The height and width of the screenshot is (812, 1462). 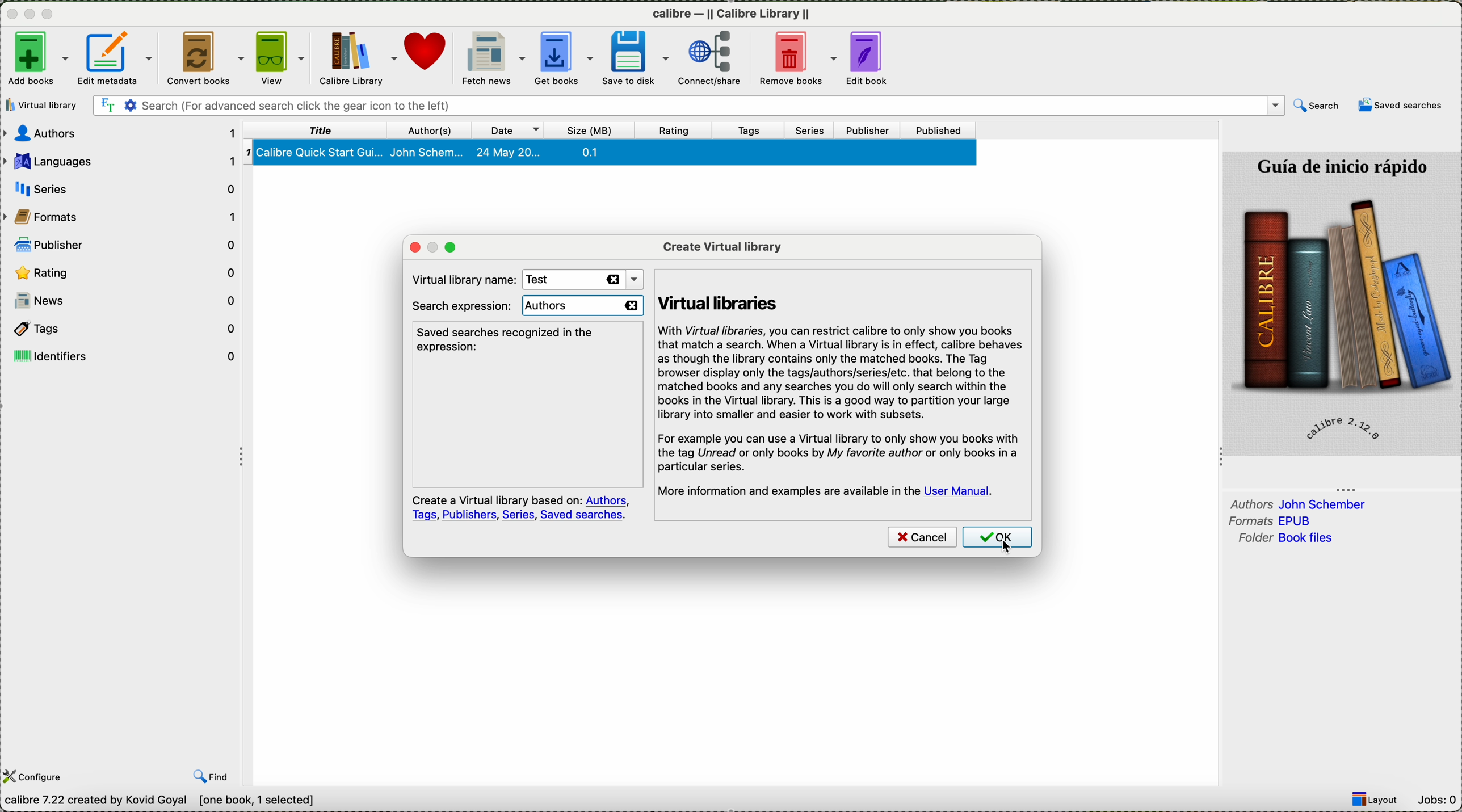 What do you see at coordinates (10, 16) in the screenshot?
I see `close` at bounding box center [10, 16].